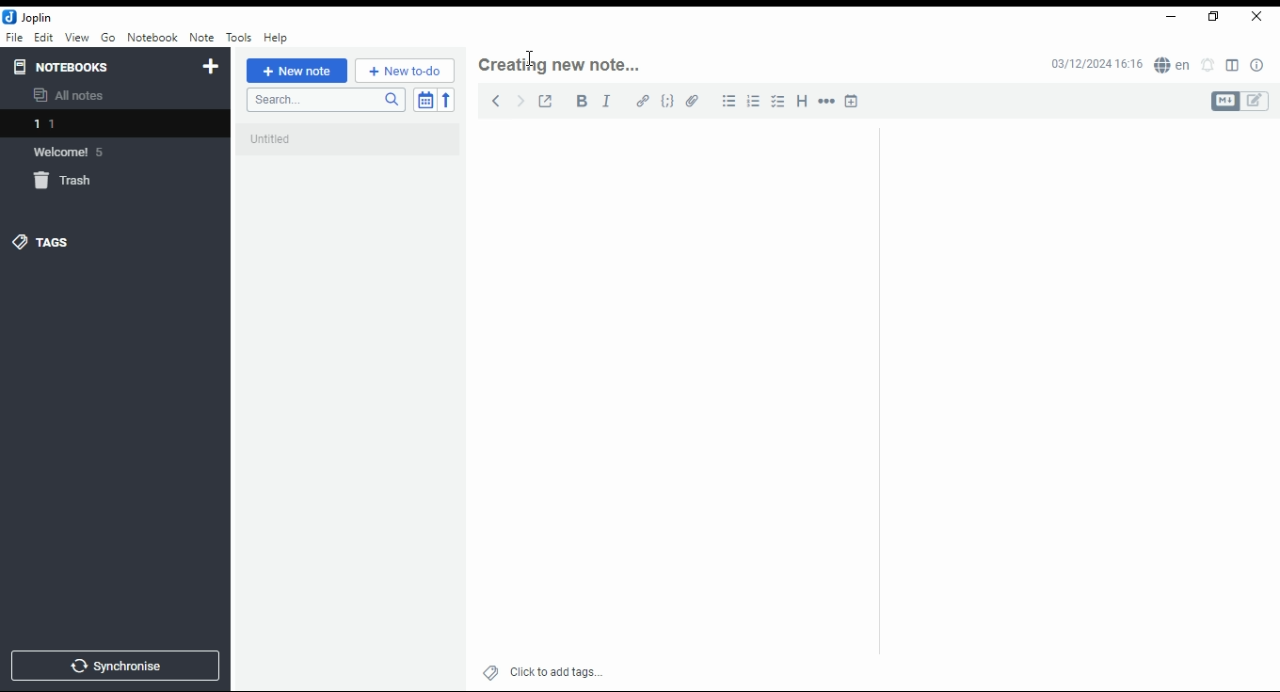 This screenshot has width=1280, height=692. Describe the element at coordinates (97, 66) in the screenshot. I see `notebooks` at that location.